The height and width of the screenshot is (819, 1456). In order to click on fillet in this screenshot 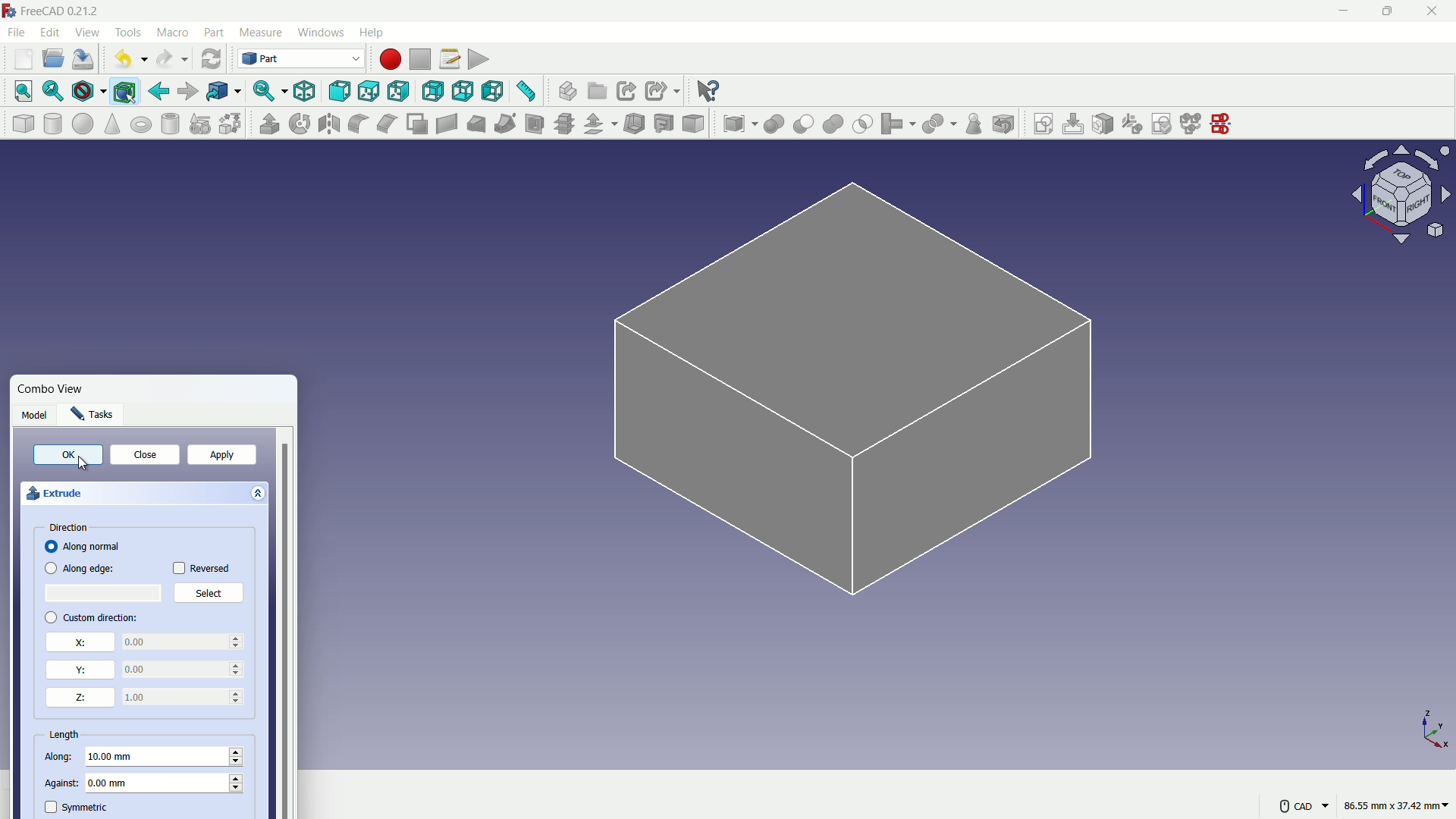, I will do `click(356, 123)`.